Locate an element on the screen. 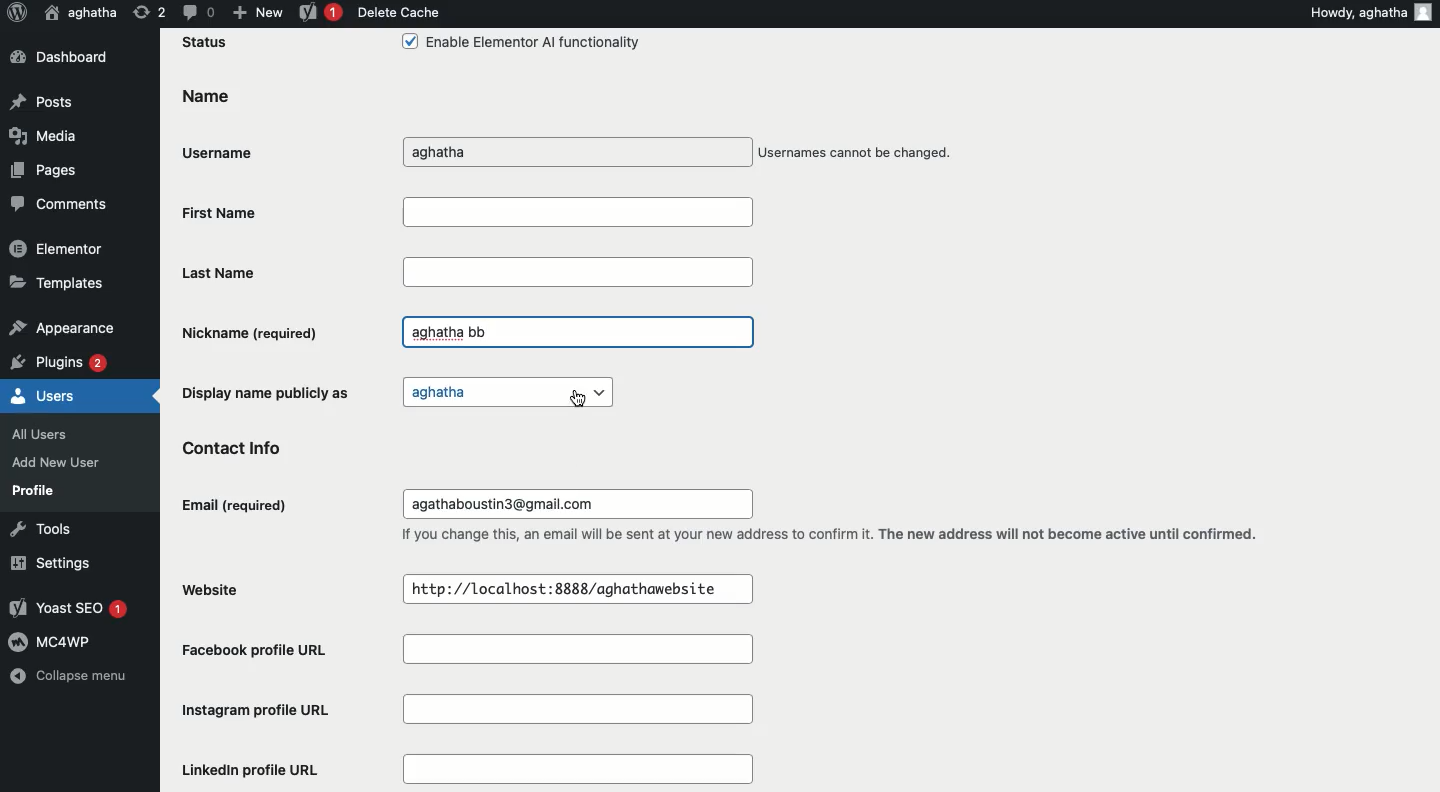 The image size is (1440, 792). aghatha is located at coordinates (508, 393).